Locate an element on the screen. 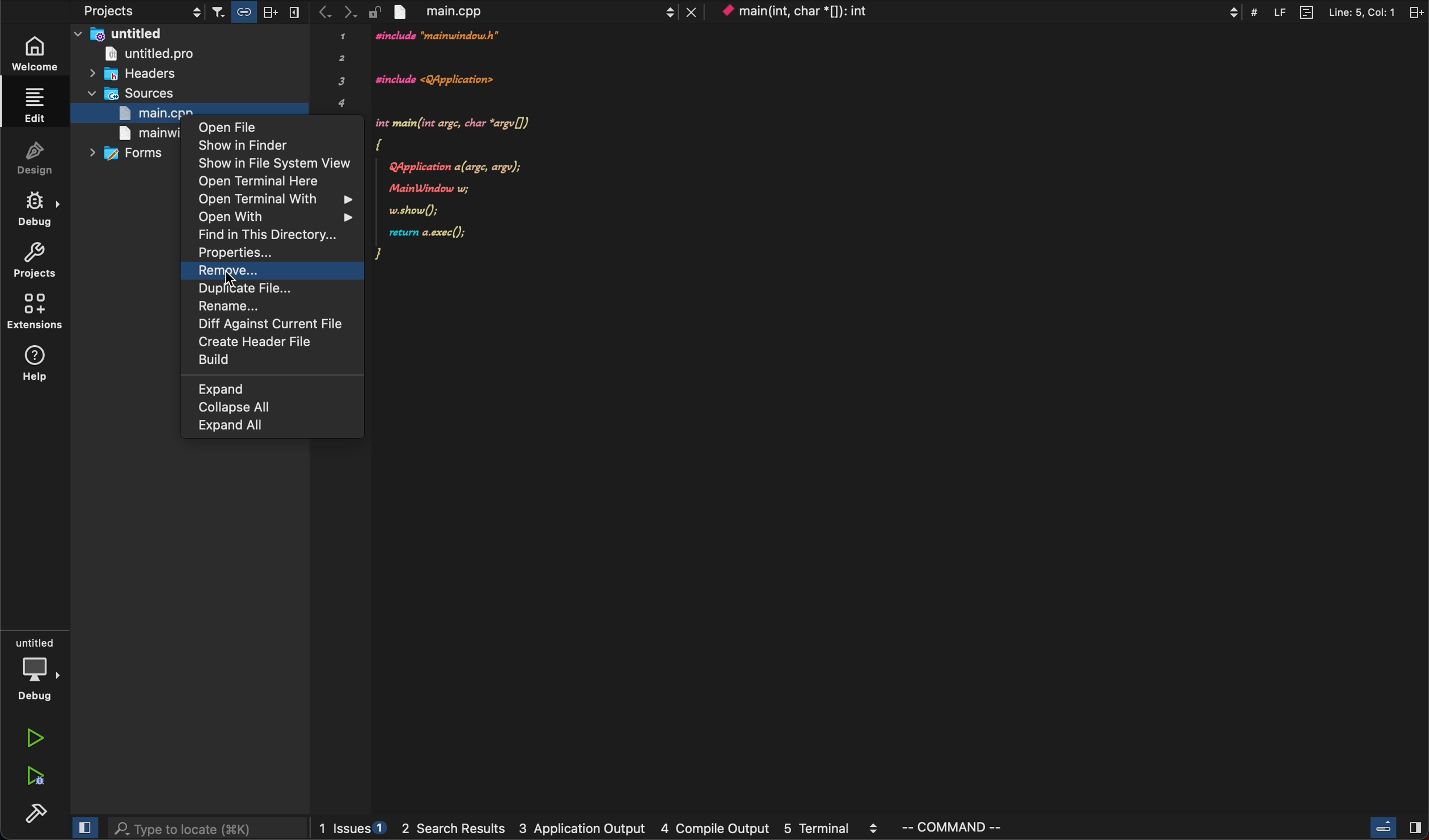 This screenshot has height=840, width=1429. show in file view is located at coordinates (273, 165).